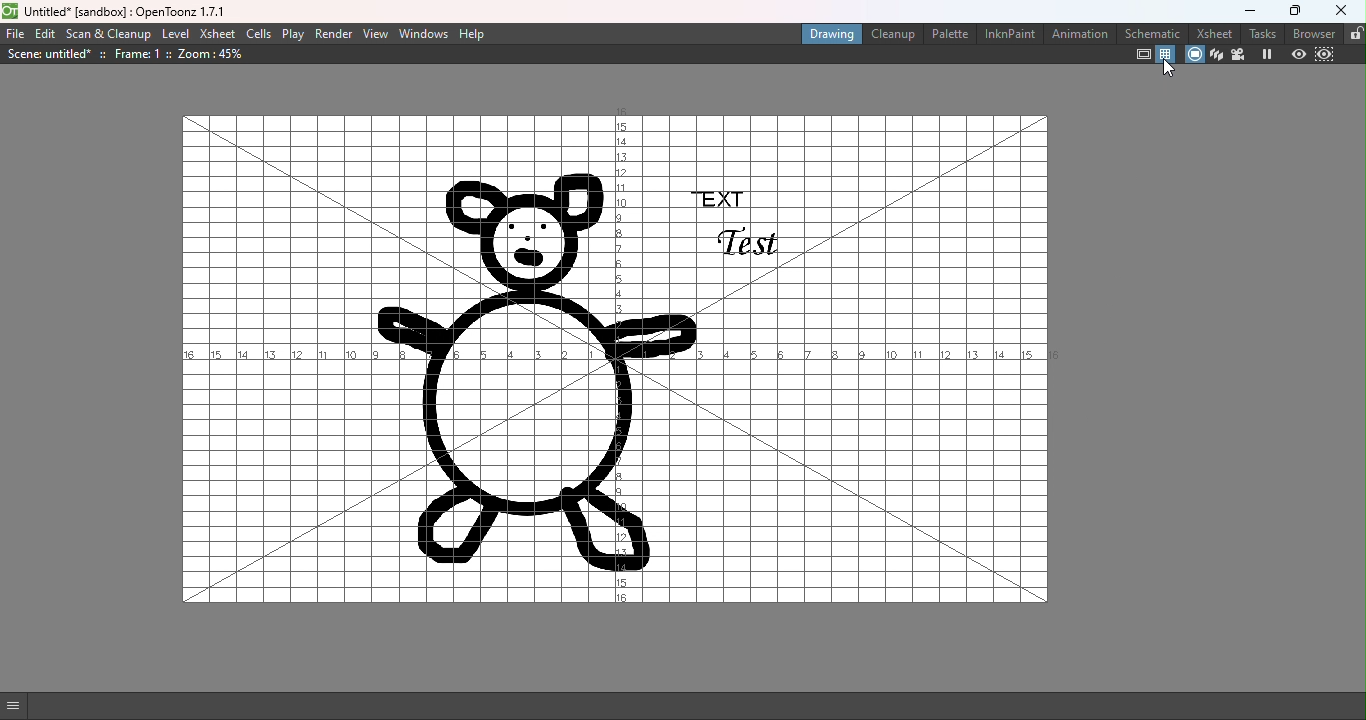 This screenshot has width=1366, height=720. I want to click on Browser, so click(1311, 32).